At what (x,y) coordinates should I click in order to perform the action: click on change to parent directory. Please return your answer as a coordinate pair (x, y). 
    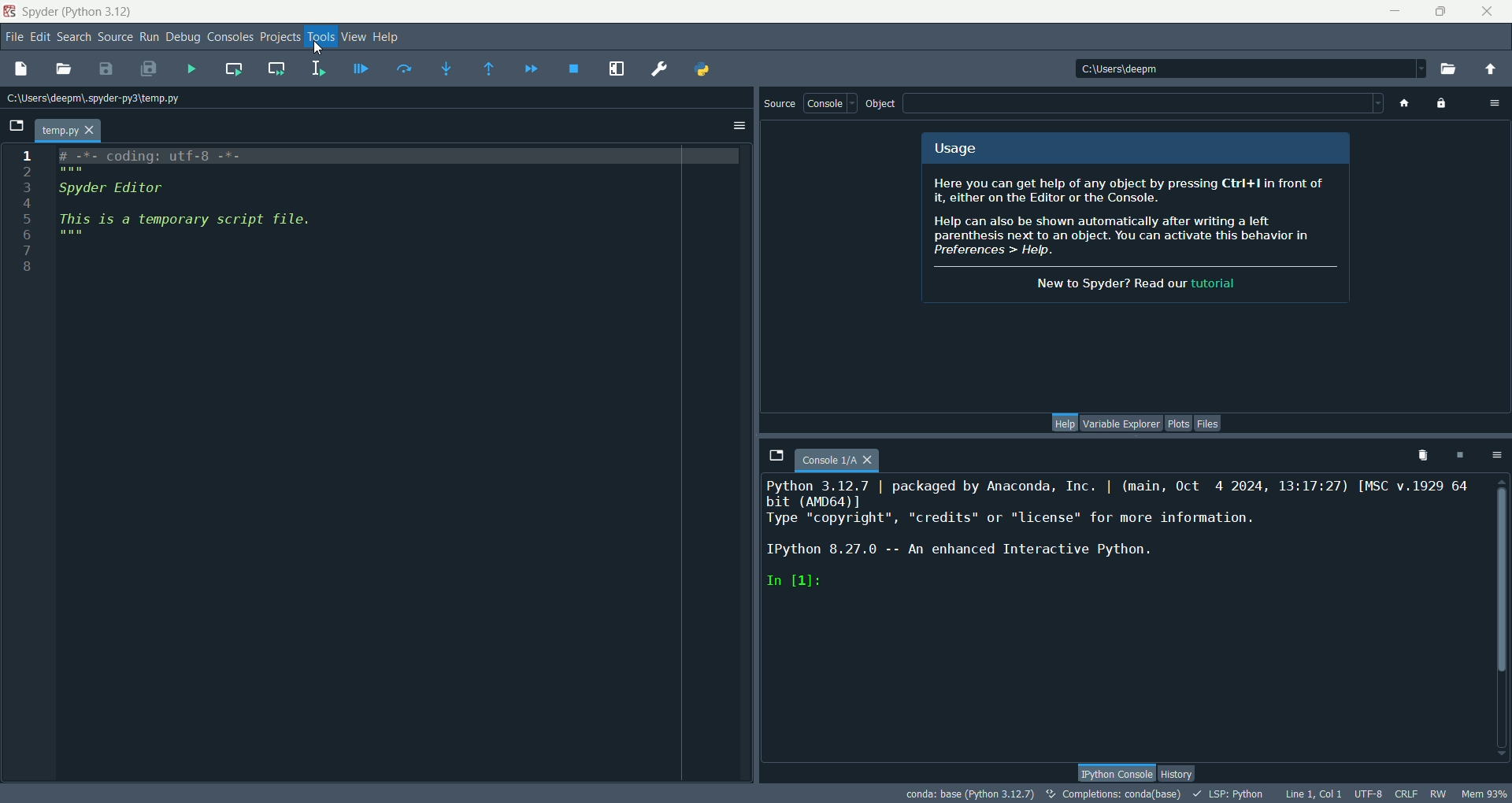
    Looking at the image, I should click on (1494, 68).